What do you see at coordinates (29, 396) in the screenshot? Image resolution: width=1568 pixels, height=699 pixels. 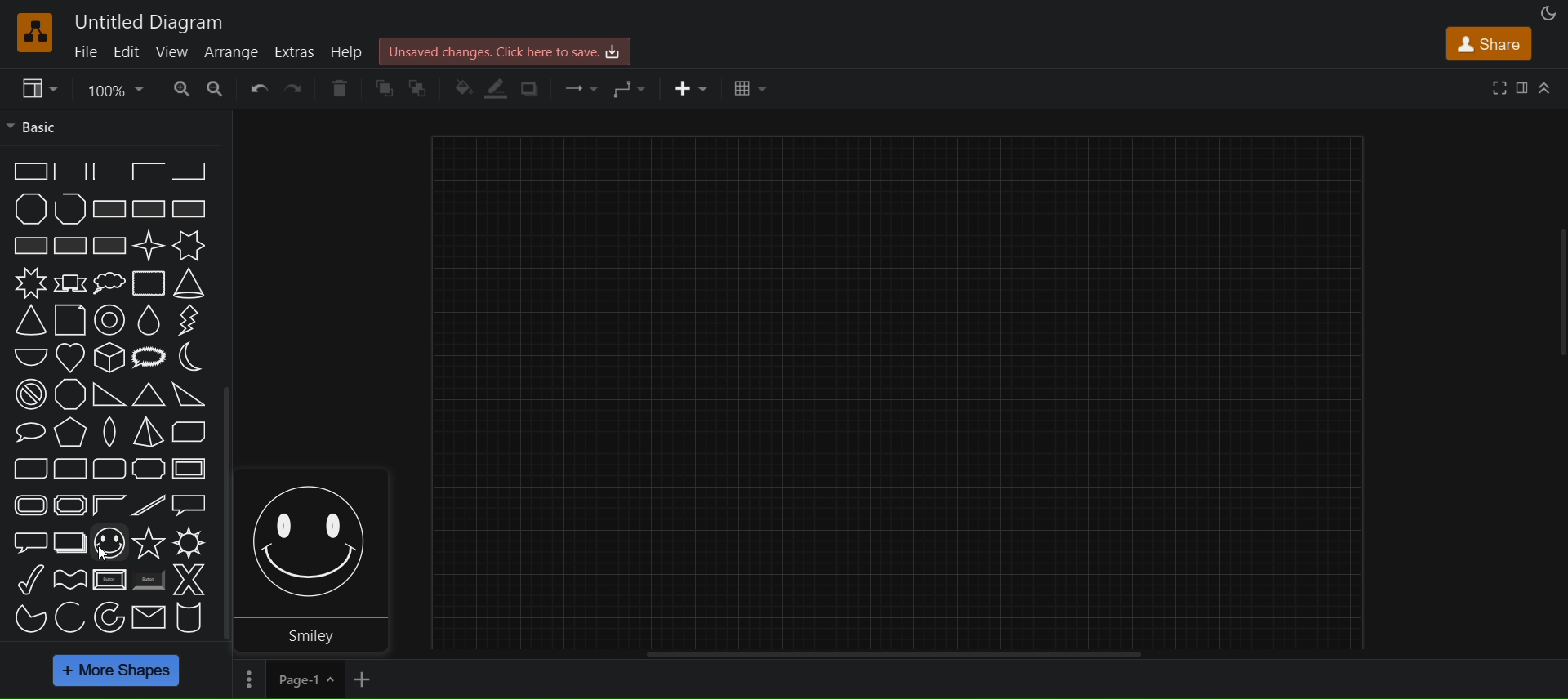 I see `no symbol` at bounding box center [29, 396].